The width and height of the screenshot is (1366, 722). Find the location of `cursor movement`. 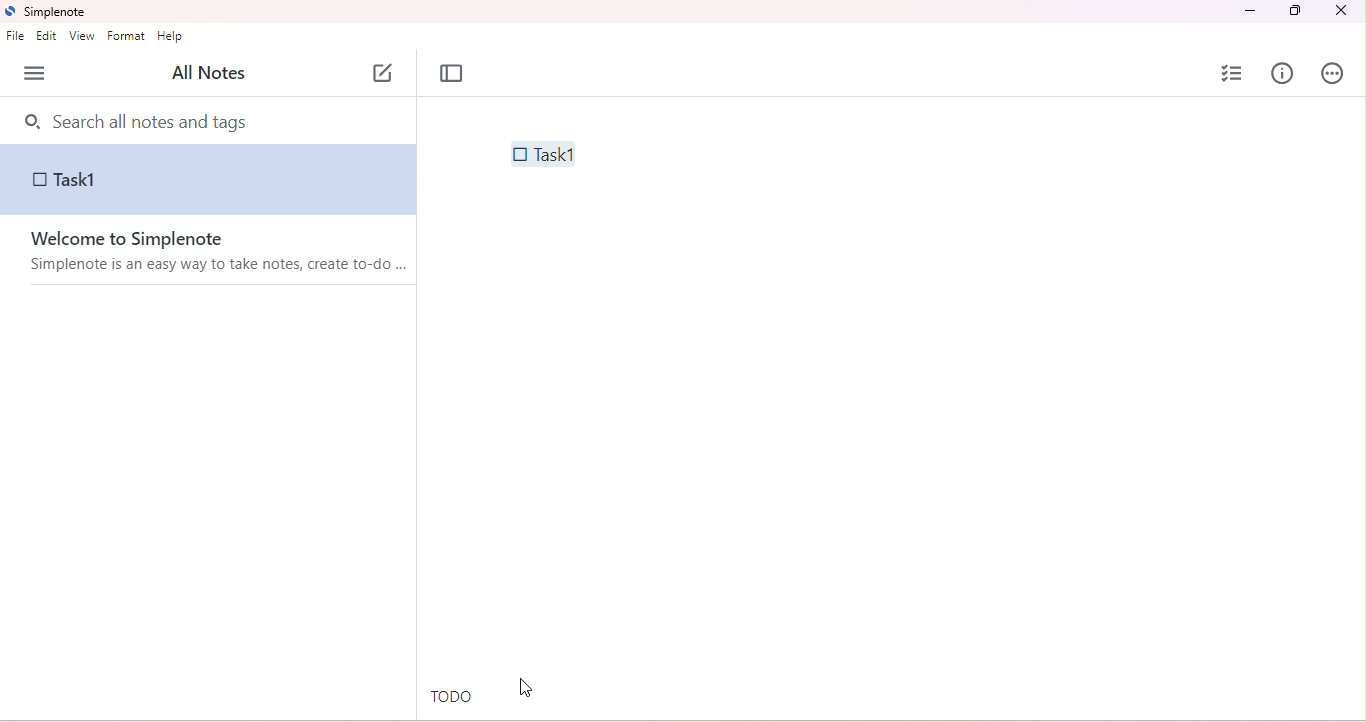

cursor movement is located at coordinates (525, 689).